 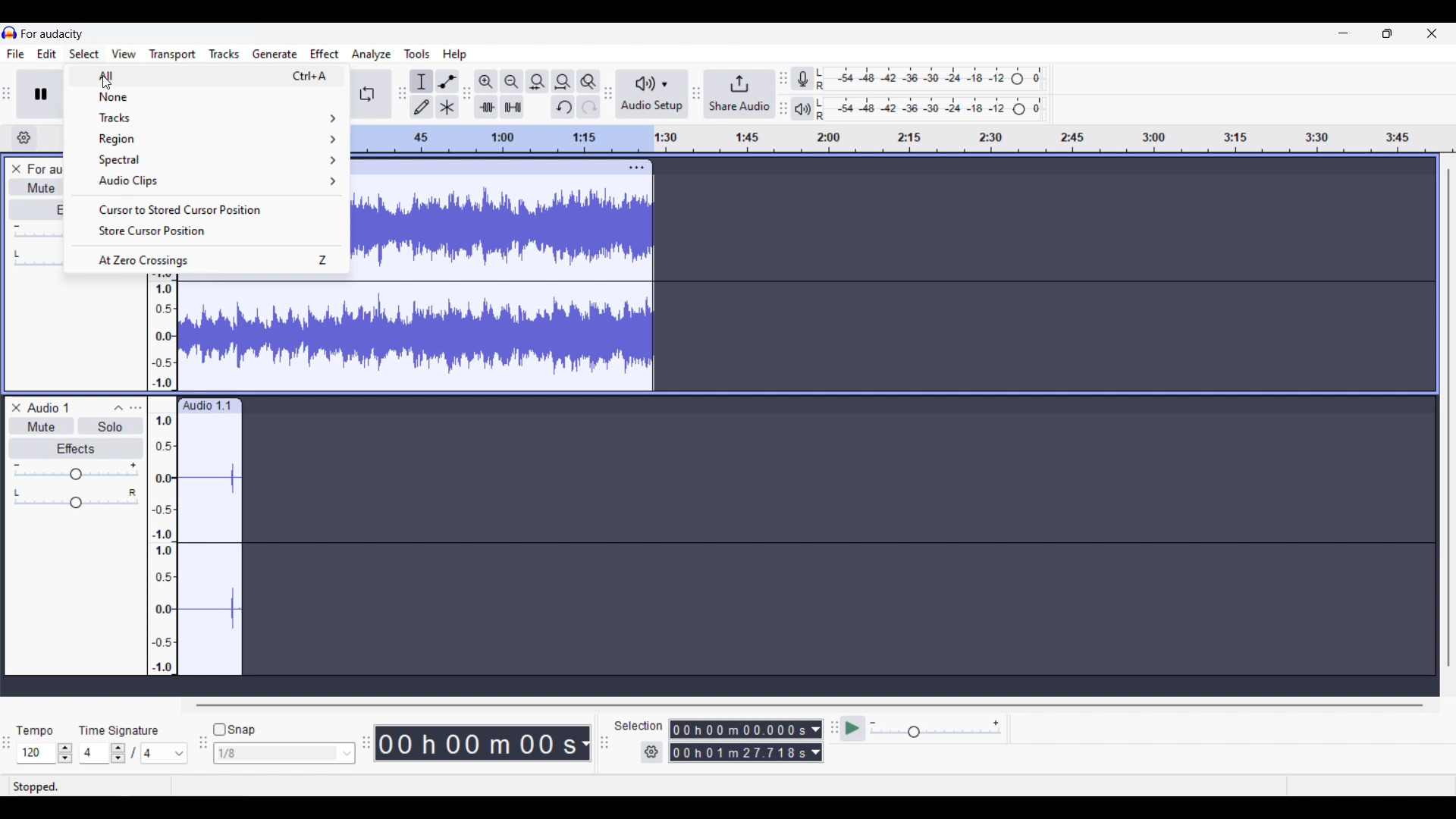 What do you see at coordinates (563, 107) in the screenshot?
I see `Undo` at bounding box center [563, 107].